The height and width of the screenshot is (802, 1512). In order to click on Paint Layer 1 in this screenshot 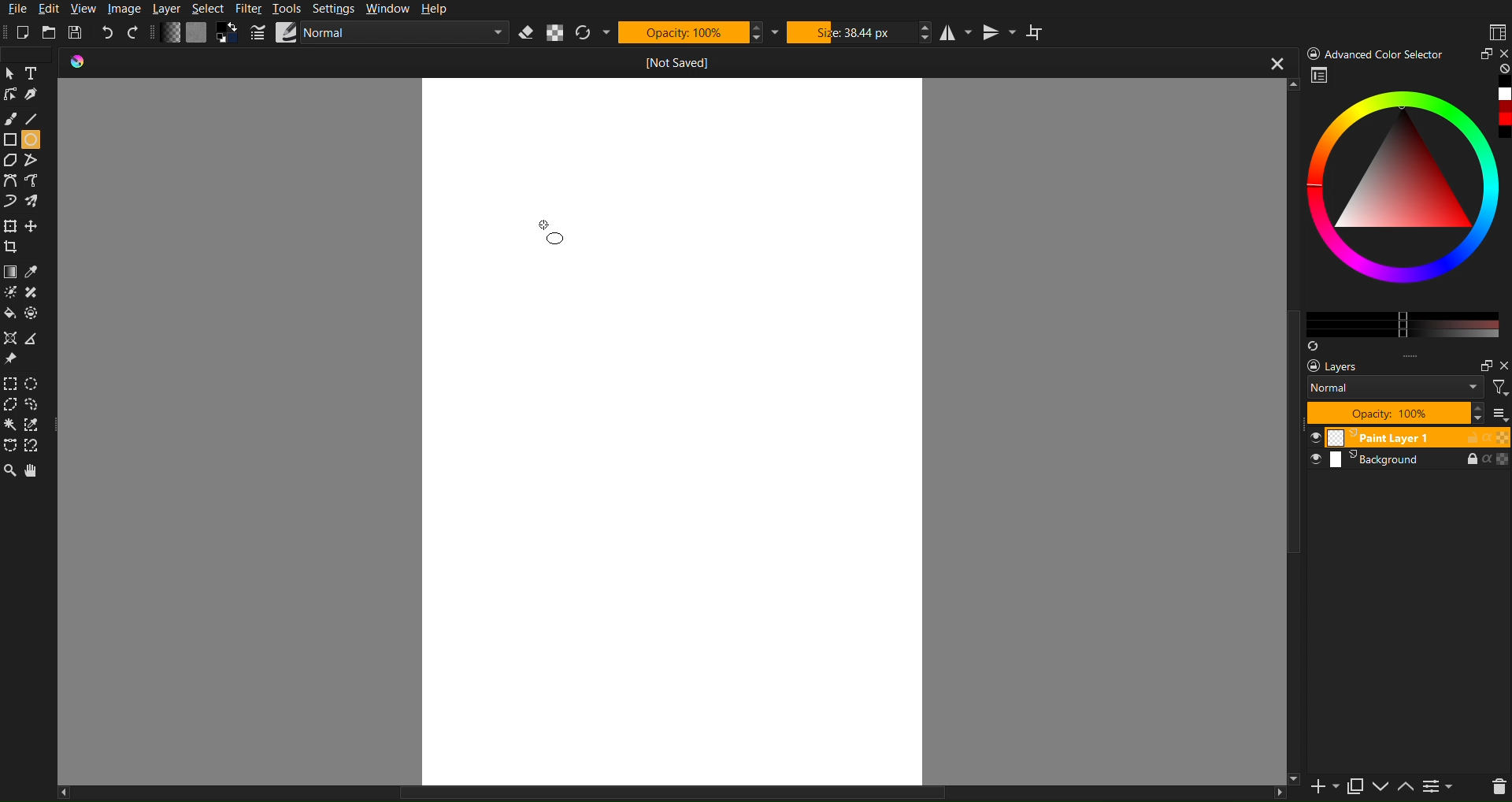, I will do `click(1408, 436)`.